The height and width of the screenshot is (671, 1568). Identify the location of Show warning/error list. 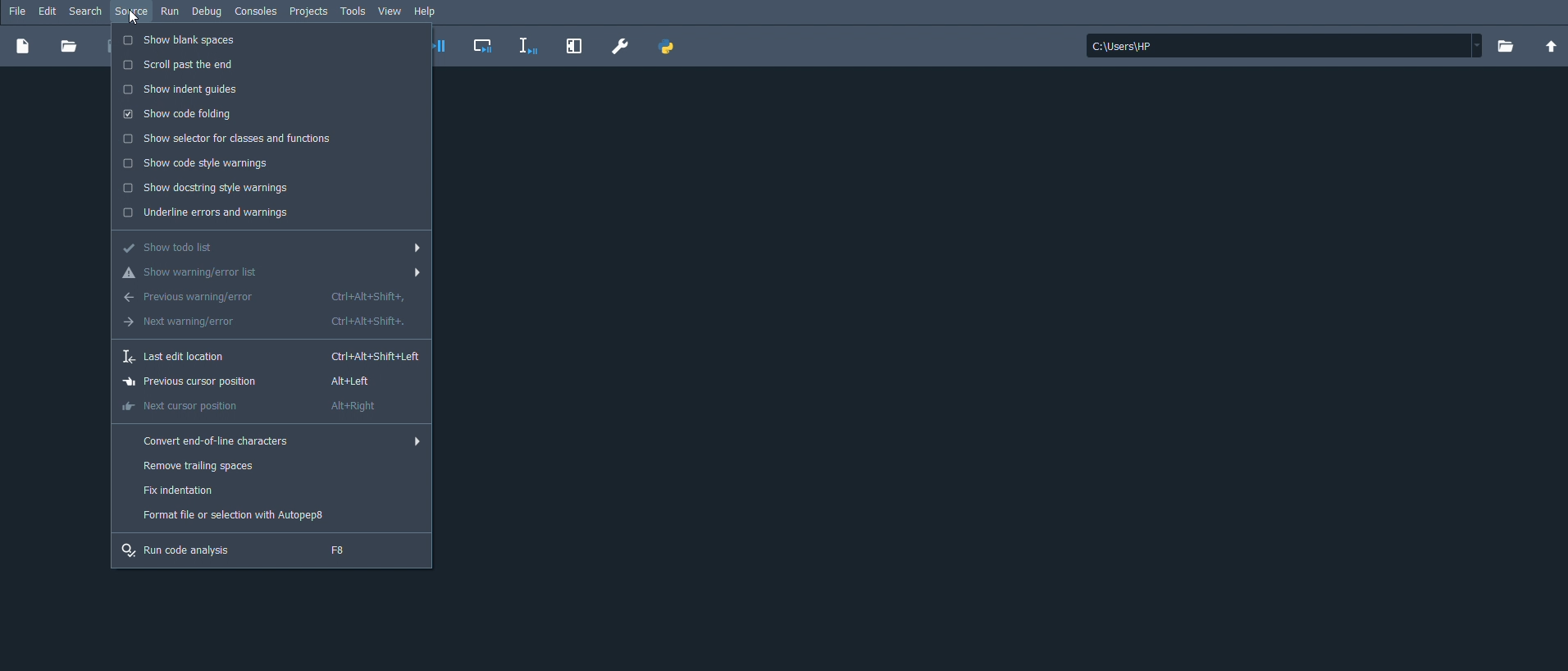
(270, 274).